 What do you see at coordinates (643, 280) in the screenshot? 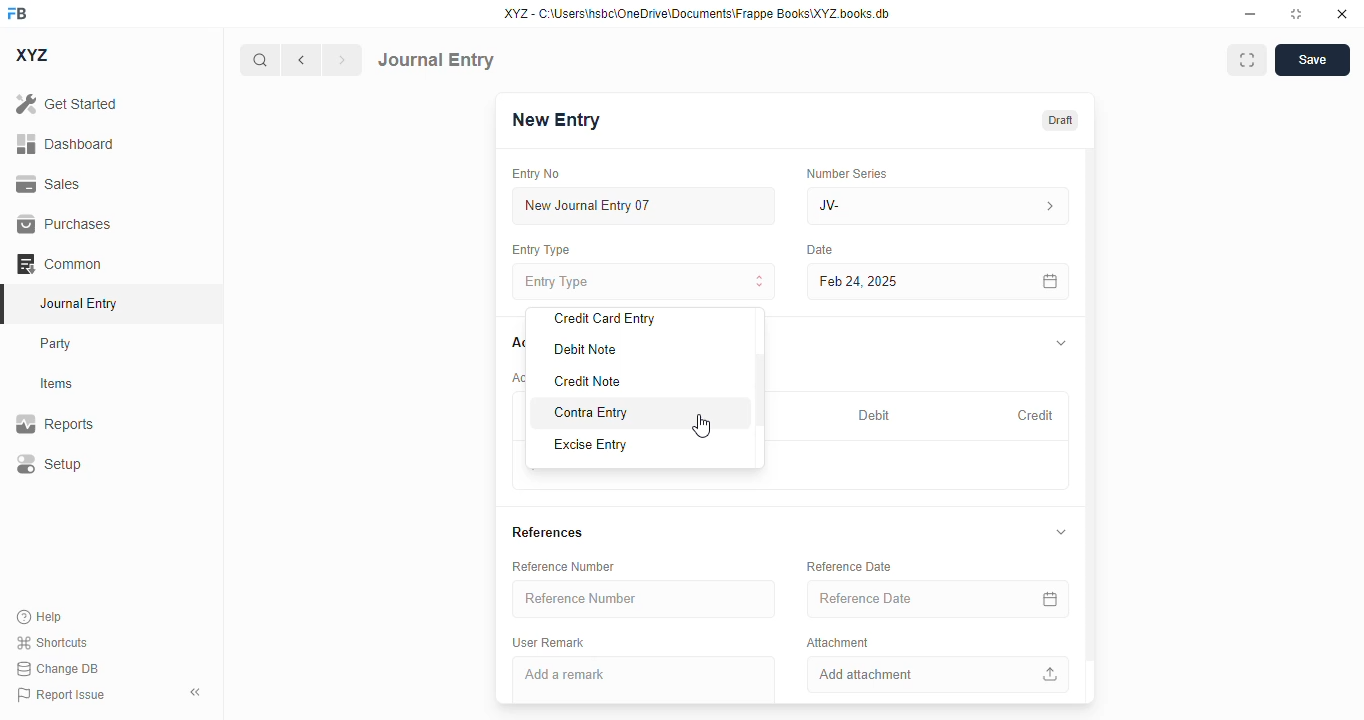
I see `entry type` at bounding box center [643, 280].